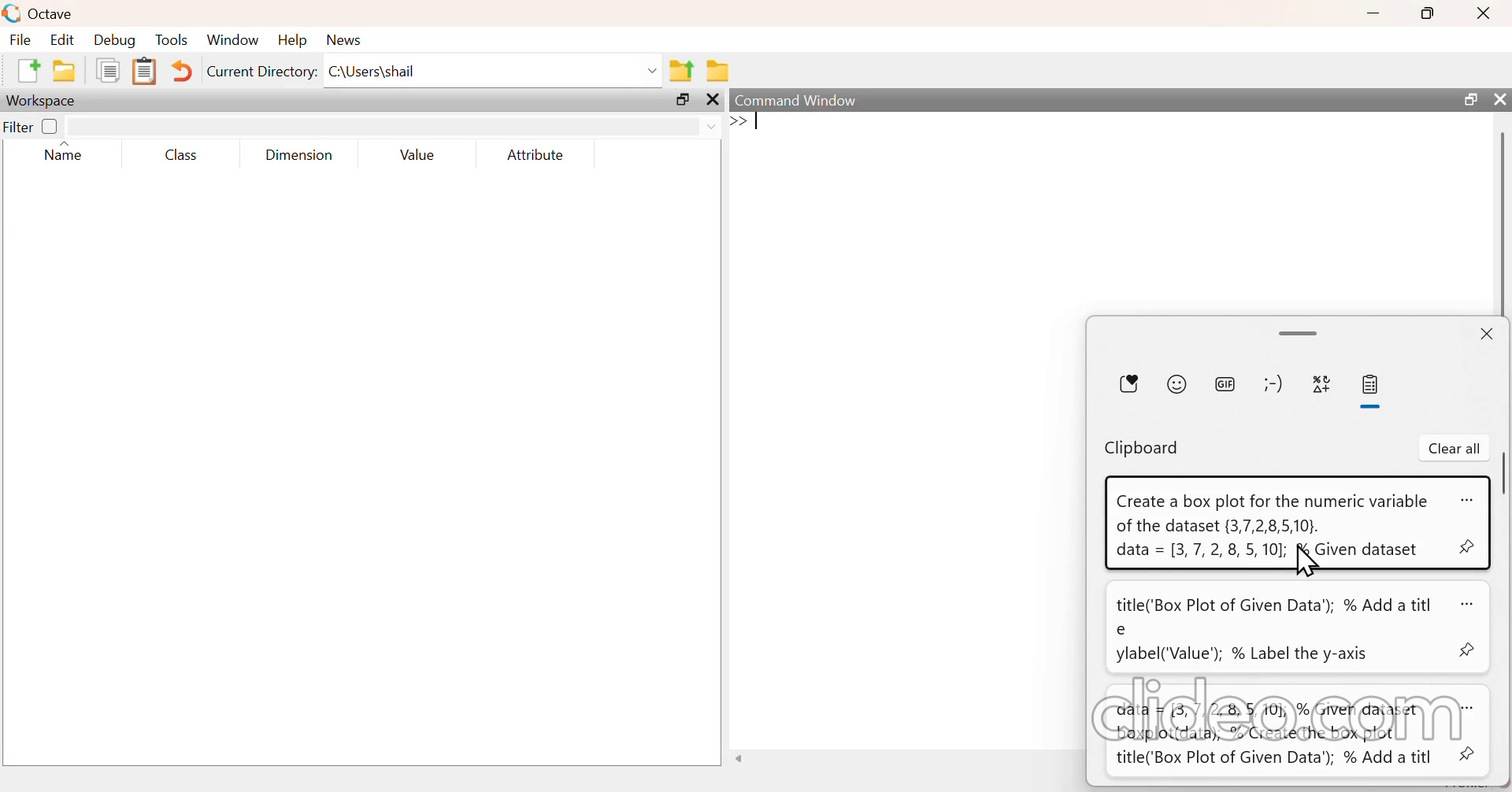  I want to click on clear all, so click(1453, 448).